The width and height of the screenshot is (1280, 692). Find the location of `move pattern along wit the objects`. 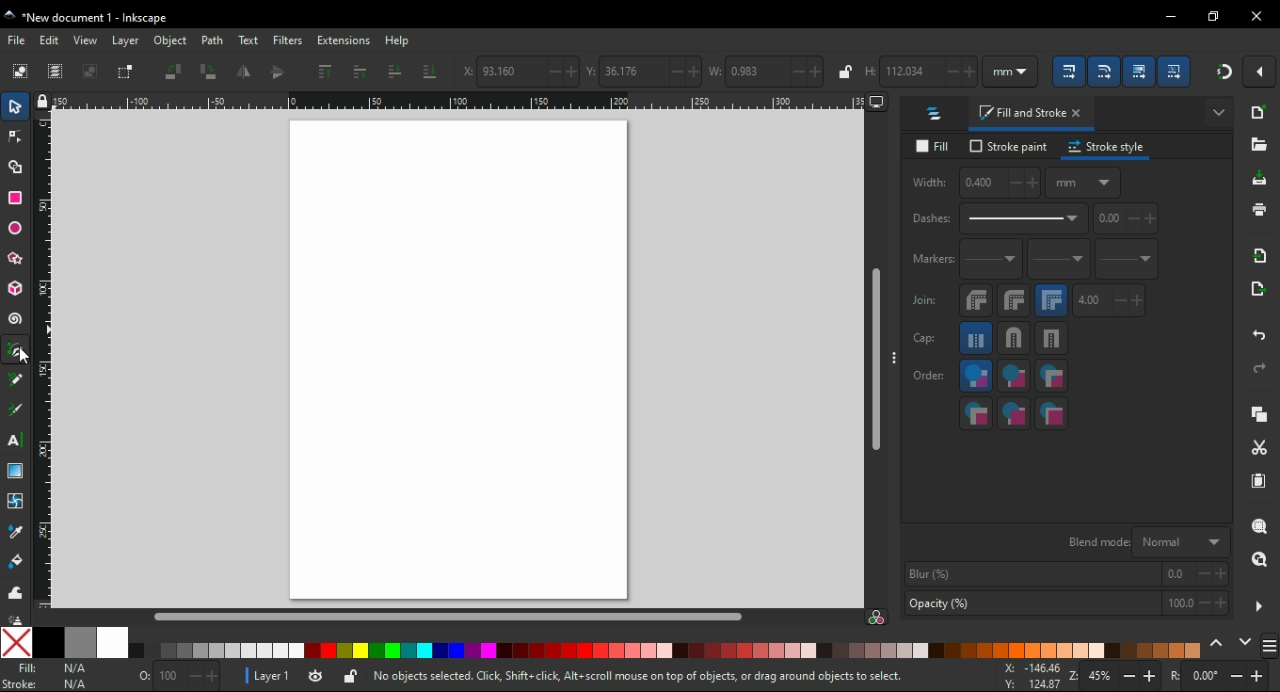

move pattern along wit the objects is located at coordinates (1175, 71).